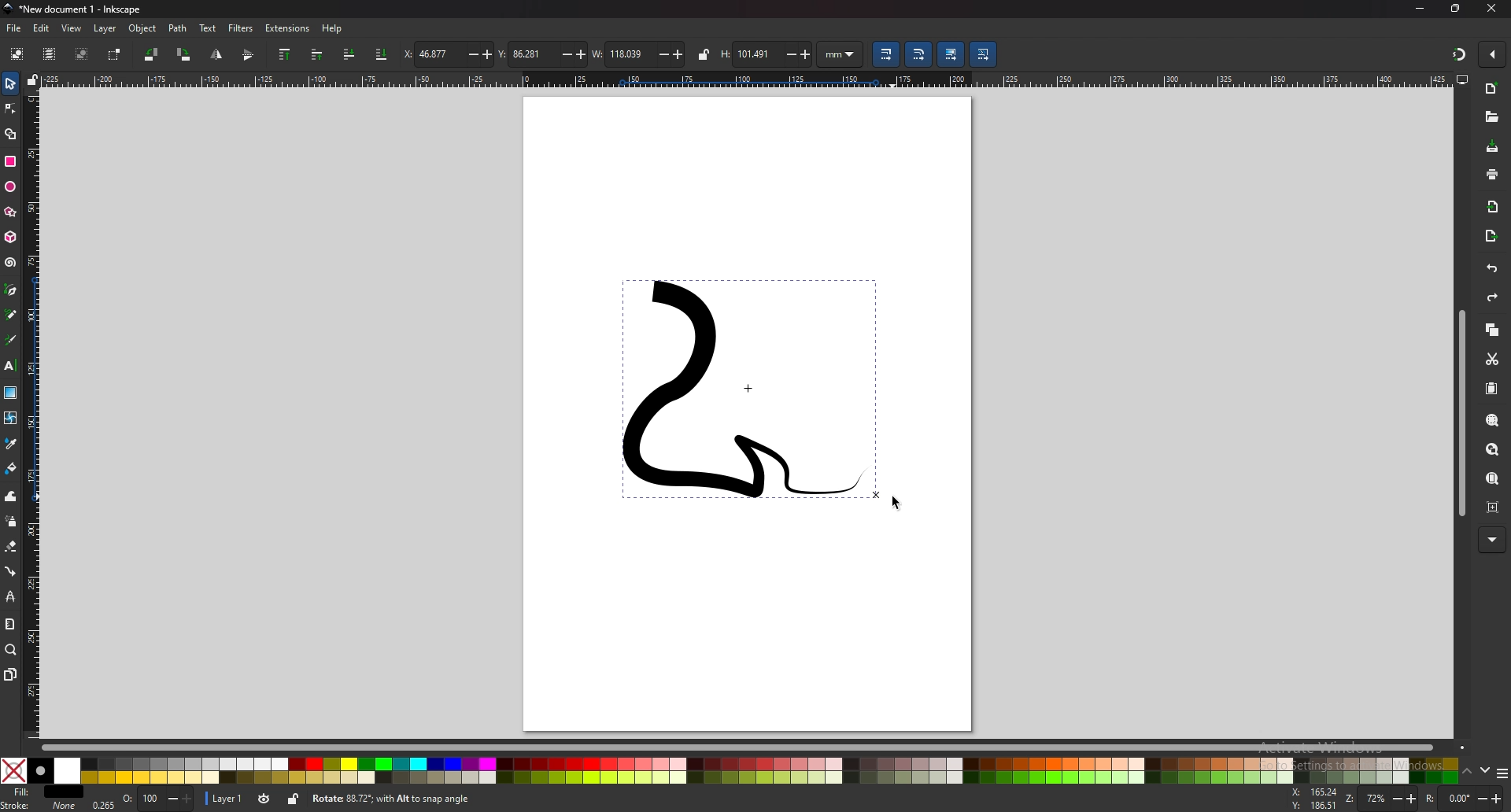  Describe the element at coordinates (10, 546) in the screenshot. I see `eraser` at that location.